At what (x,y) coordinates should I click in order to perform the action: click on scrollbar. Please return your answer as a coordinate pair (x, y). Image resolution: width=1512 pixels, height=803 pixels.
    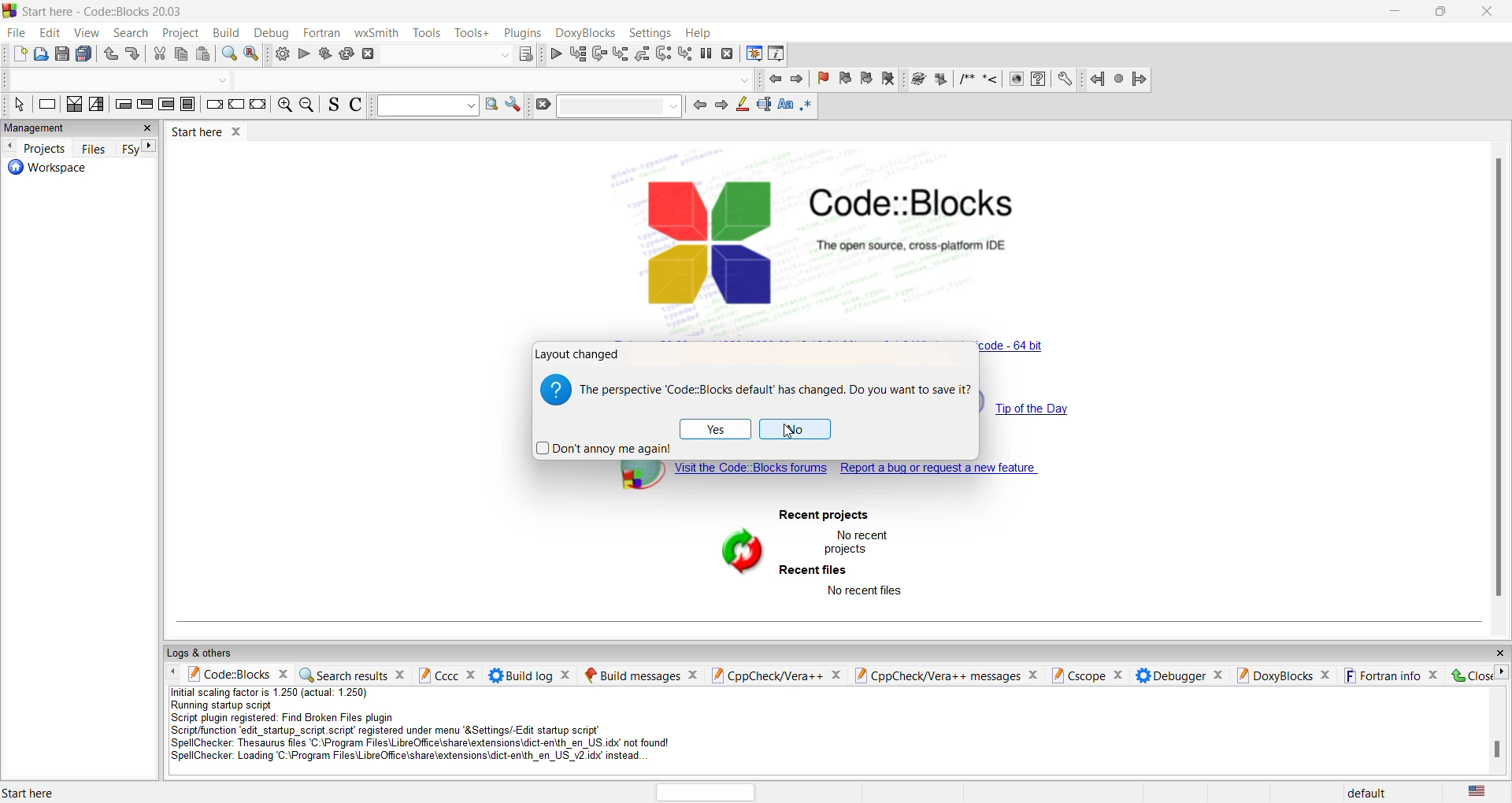
    Looking at the image, I should click on (1494, 751).